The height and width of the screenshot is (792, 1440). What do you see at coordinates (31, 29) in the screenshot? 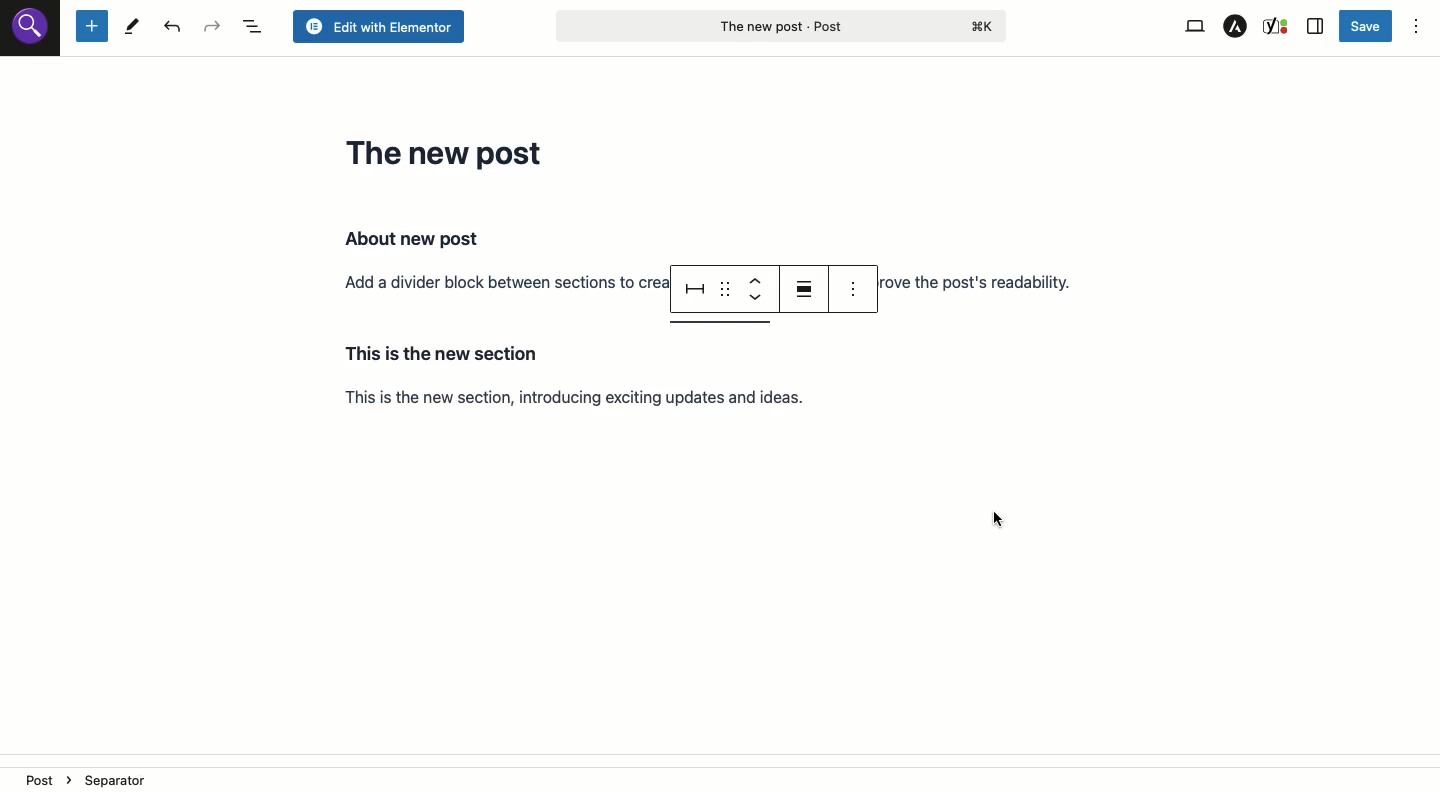
I see `Site icon` at bounding box center [31, 29].